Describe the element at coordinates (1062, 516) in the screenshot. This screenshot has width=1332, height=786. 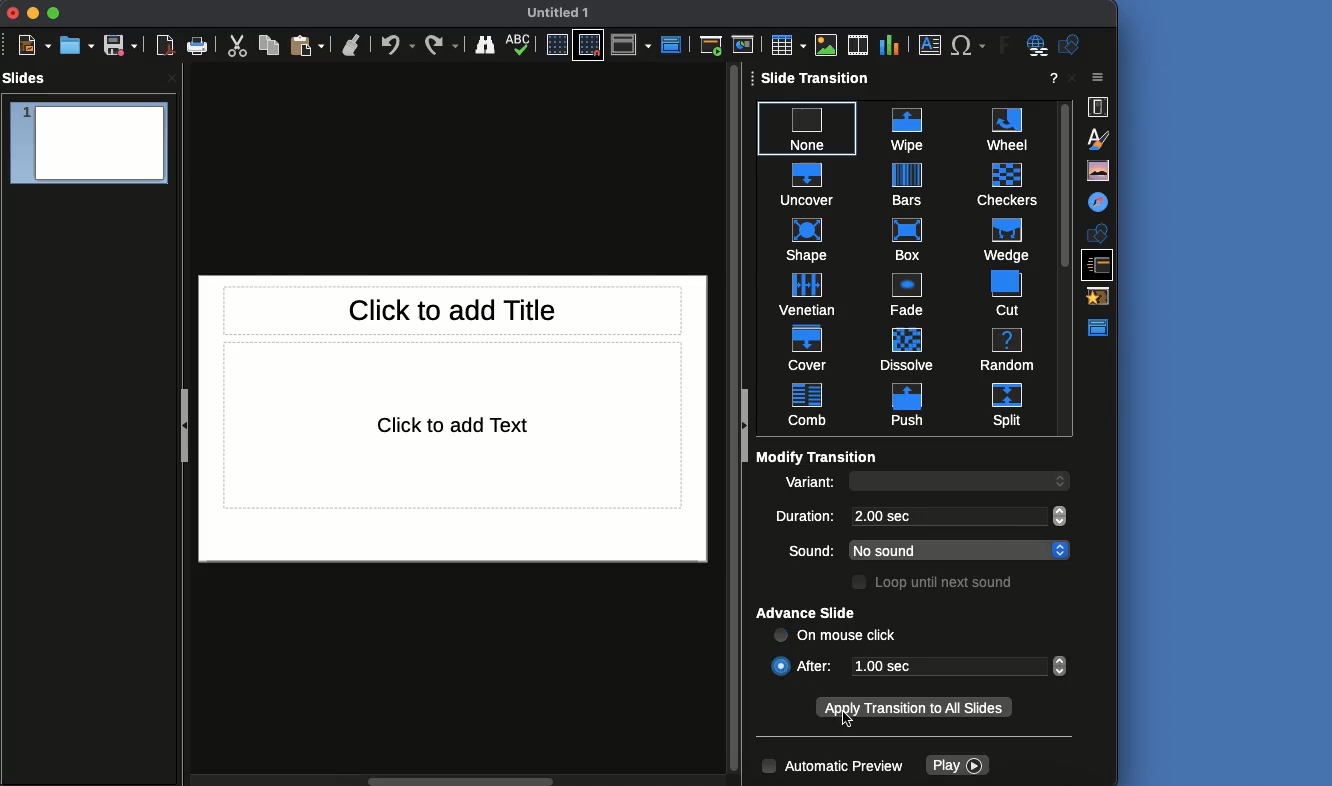
I see `scroll` at that location.